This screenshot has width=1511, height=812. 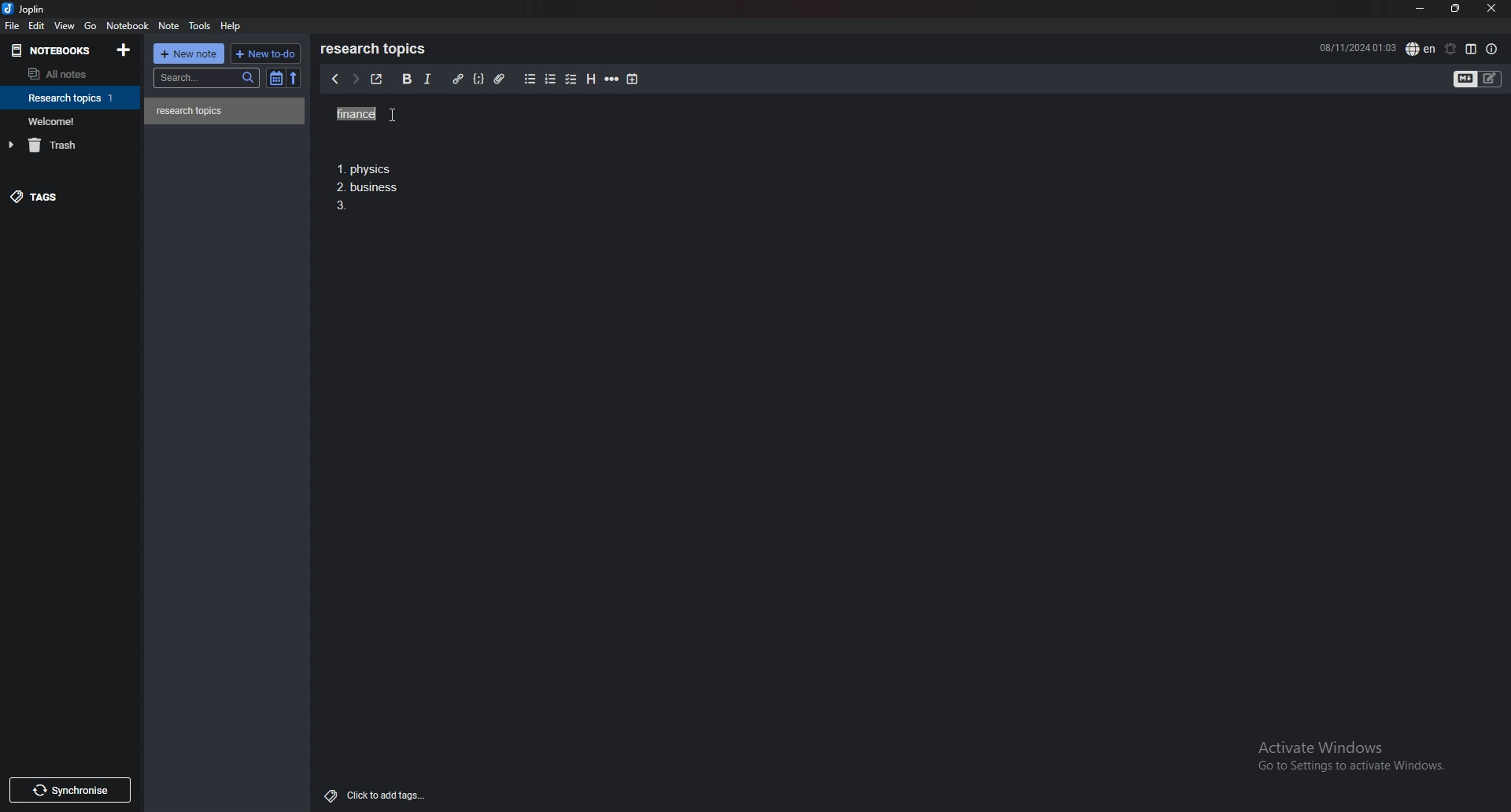 I want to click on code, so click(x=479, y=78).